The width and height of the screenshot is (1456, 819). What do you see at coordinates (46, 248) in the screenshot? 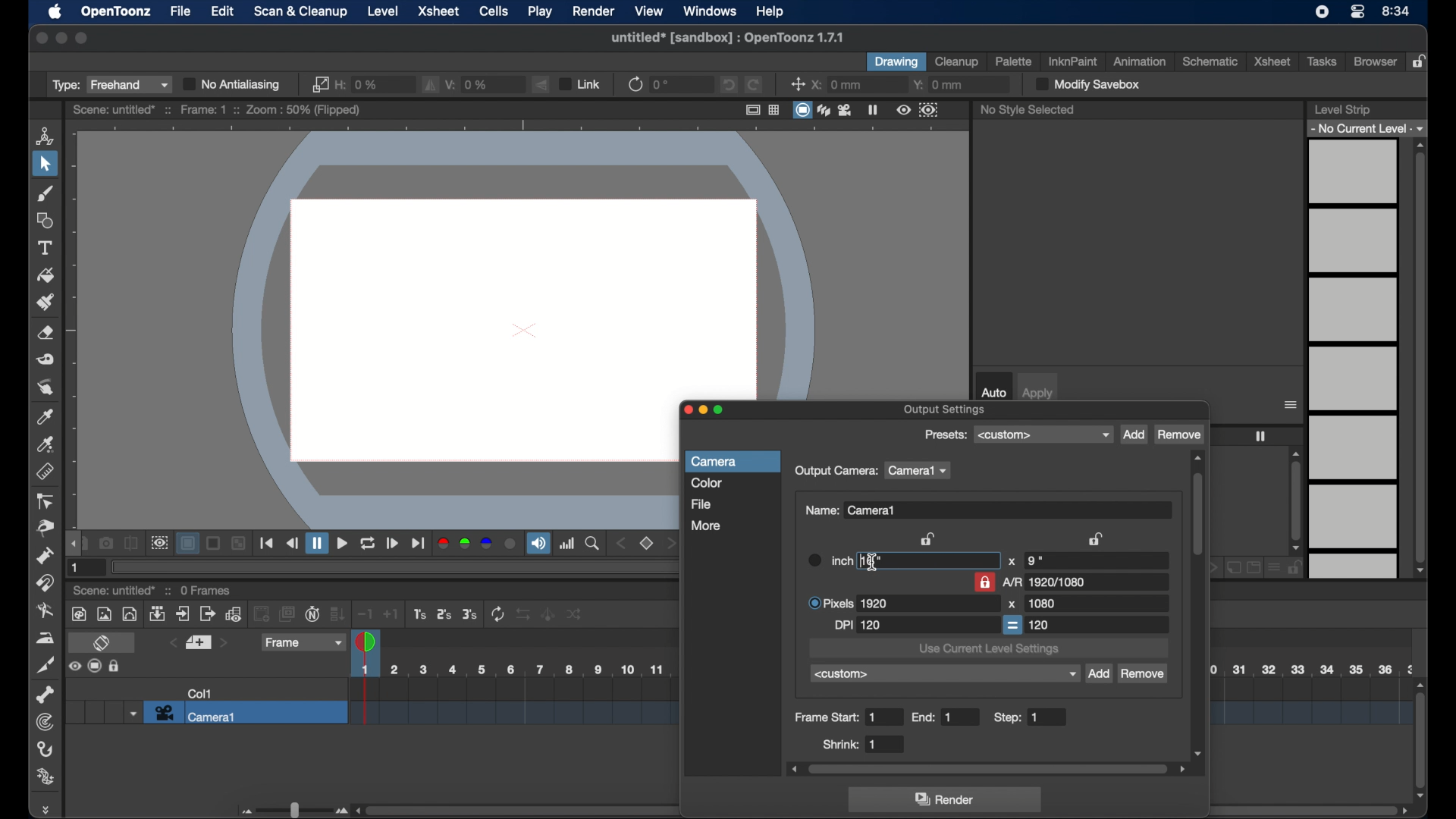
I see `type tool` at bounding box center [46, 248].